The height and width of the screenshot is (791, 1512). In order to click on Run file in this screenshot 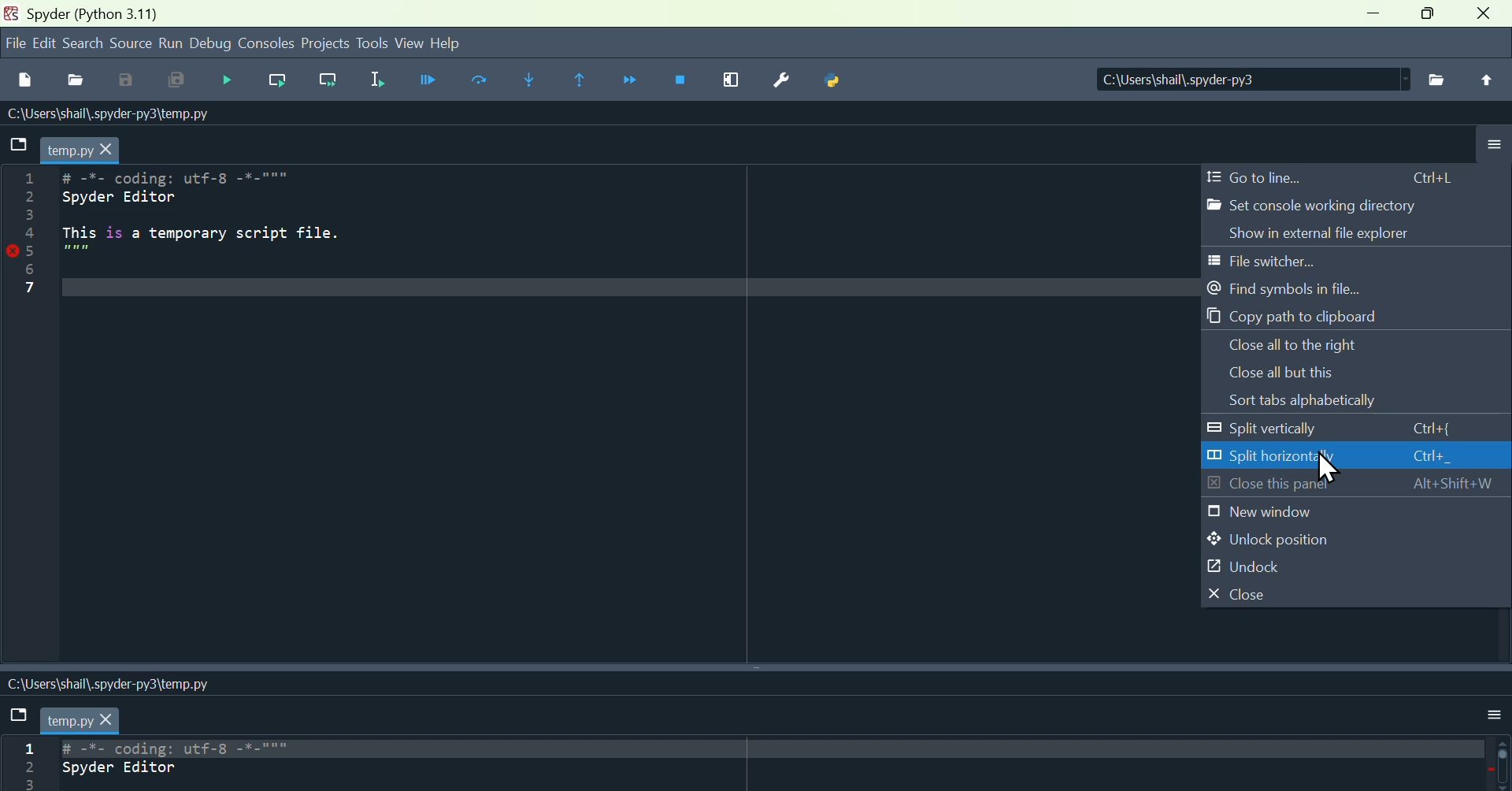, I will do `click(426, 84)`.